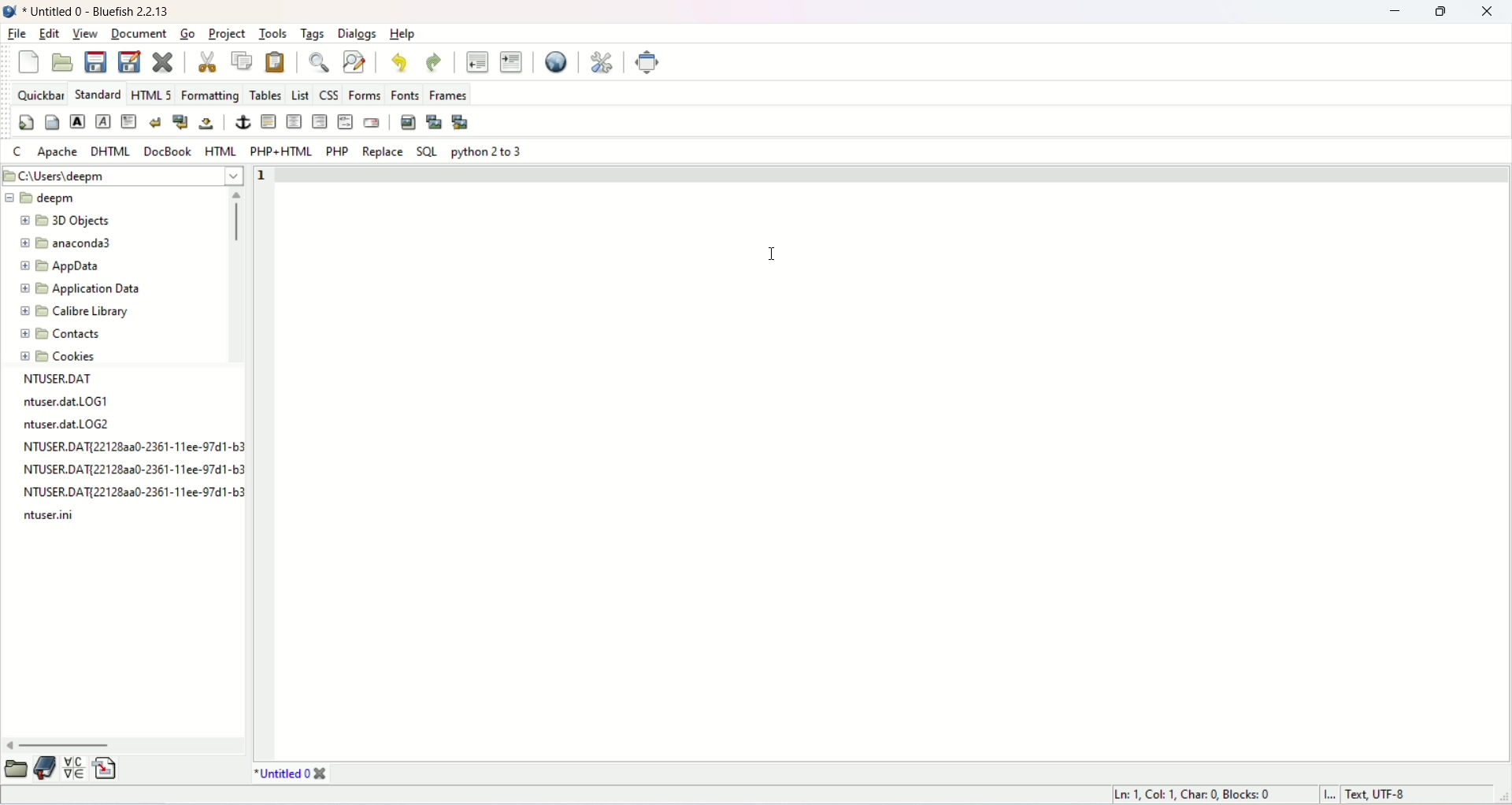 The height and width of the screenshot is (805, 1512). What do you see at coordinates (28, 122) in the screenshot?
I see `quickstart` at bounding box center [28, 122].